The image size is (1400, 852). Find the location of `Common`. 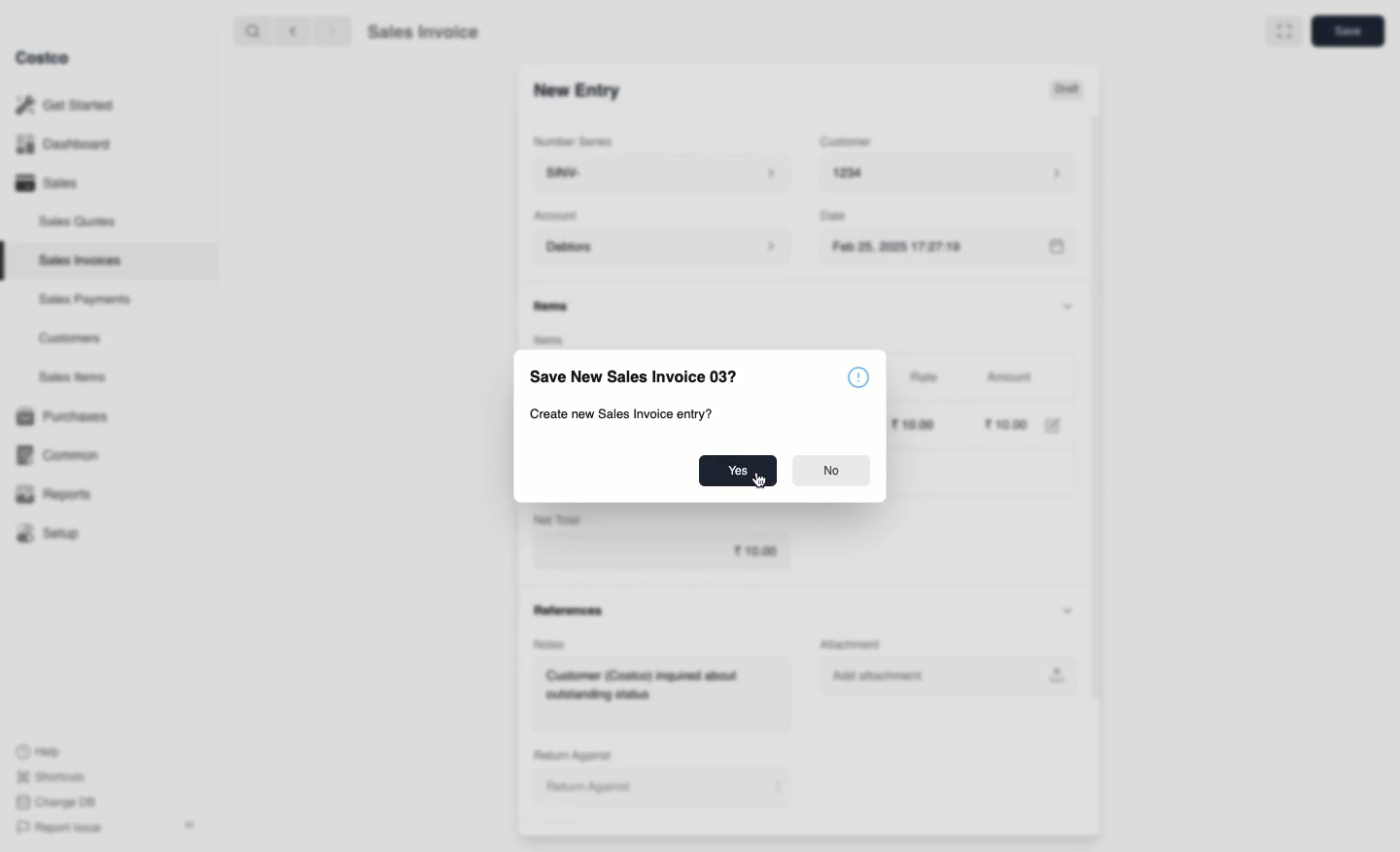

Common is located at coordinates (60, 456).